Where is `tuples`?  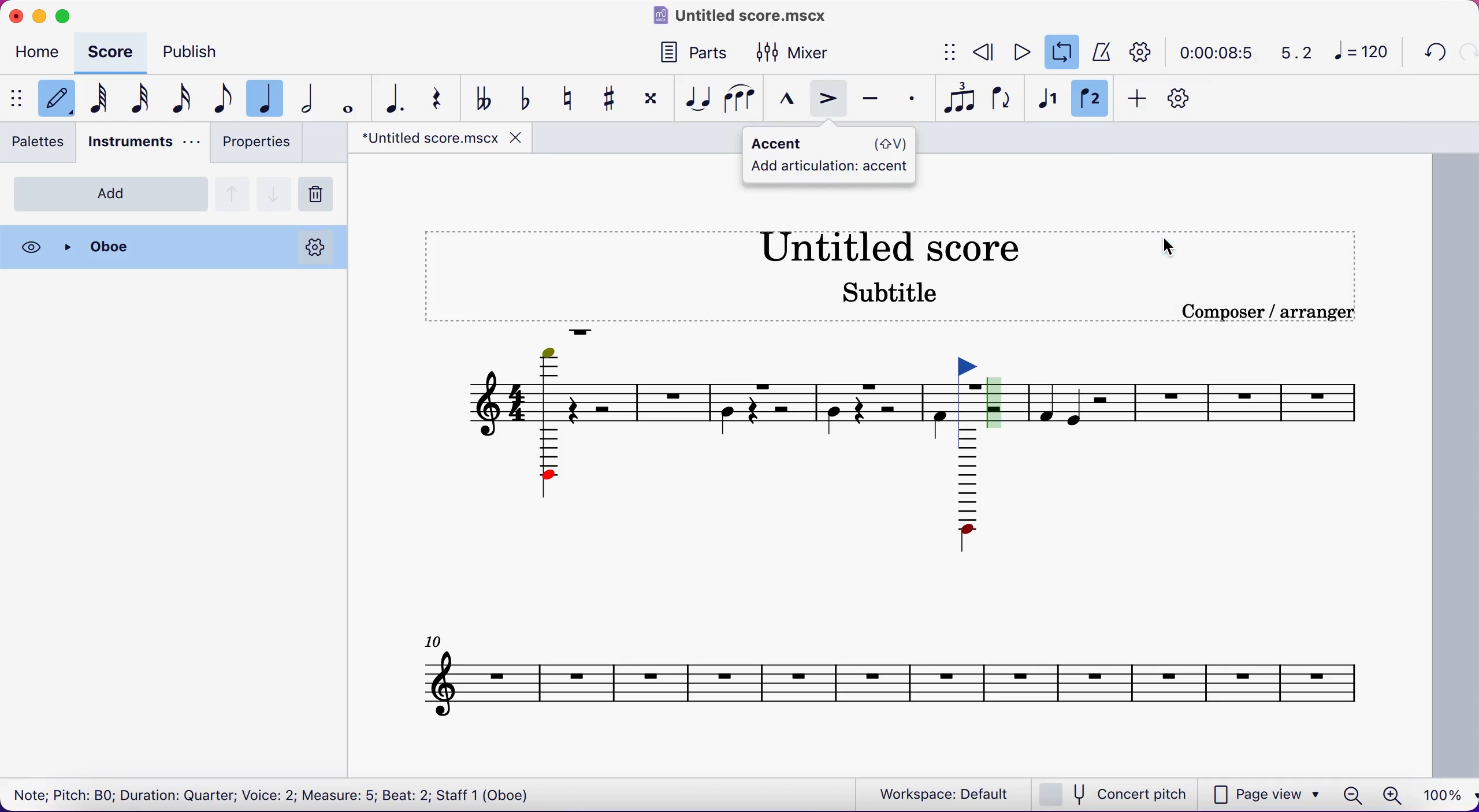 tuples is located at coordinates (963, 99).